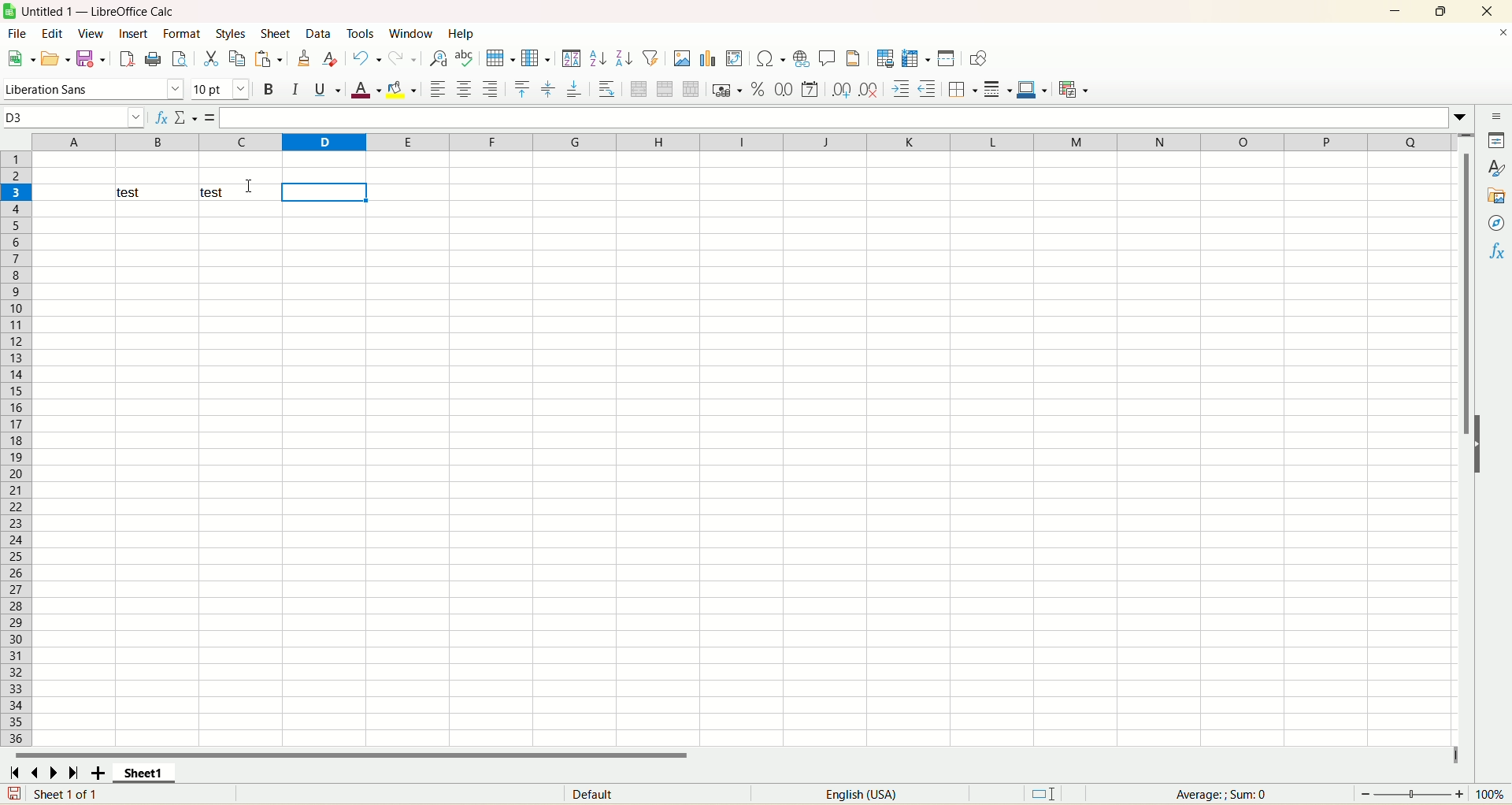 This screenshot has width=1512, height=805. Describe the element at coordinates (1489, 794) in the screenshot. I see `100%` at that location.